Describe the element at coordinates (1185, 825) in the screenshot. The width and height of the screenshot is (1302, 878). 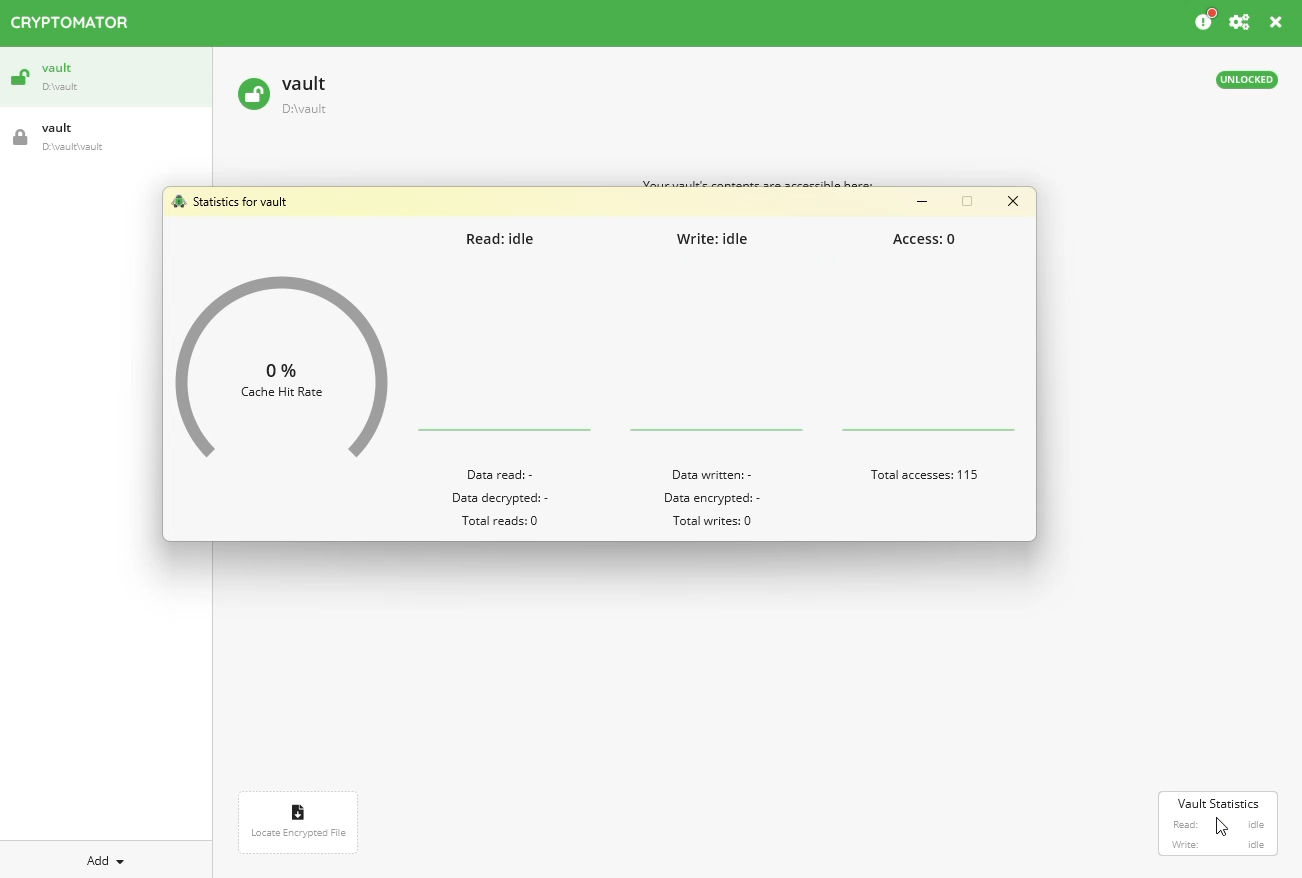
I see `read` at that location.